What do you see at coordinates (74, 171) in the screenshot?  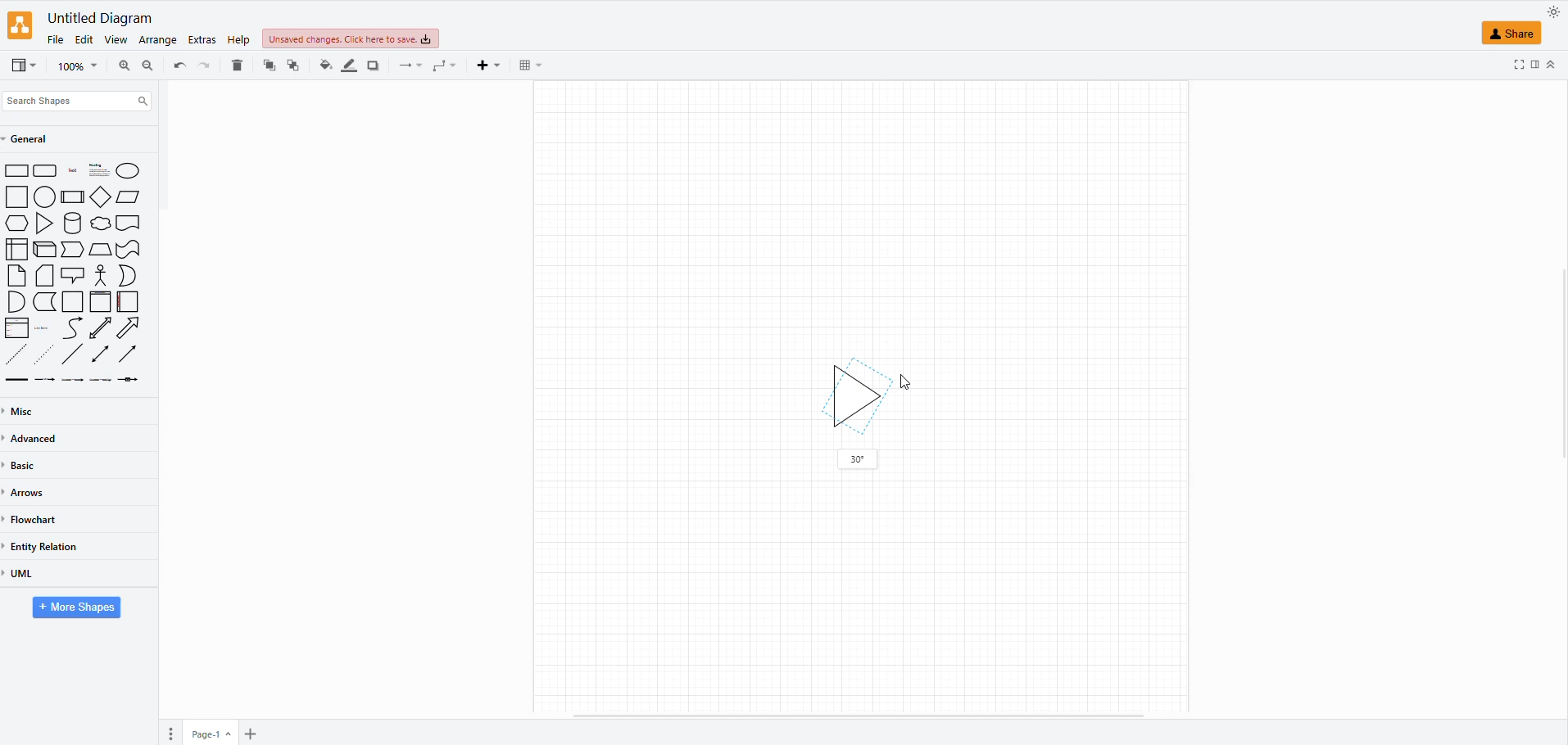 I see `Title` at bounding box center [74, 171].